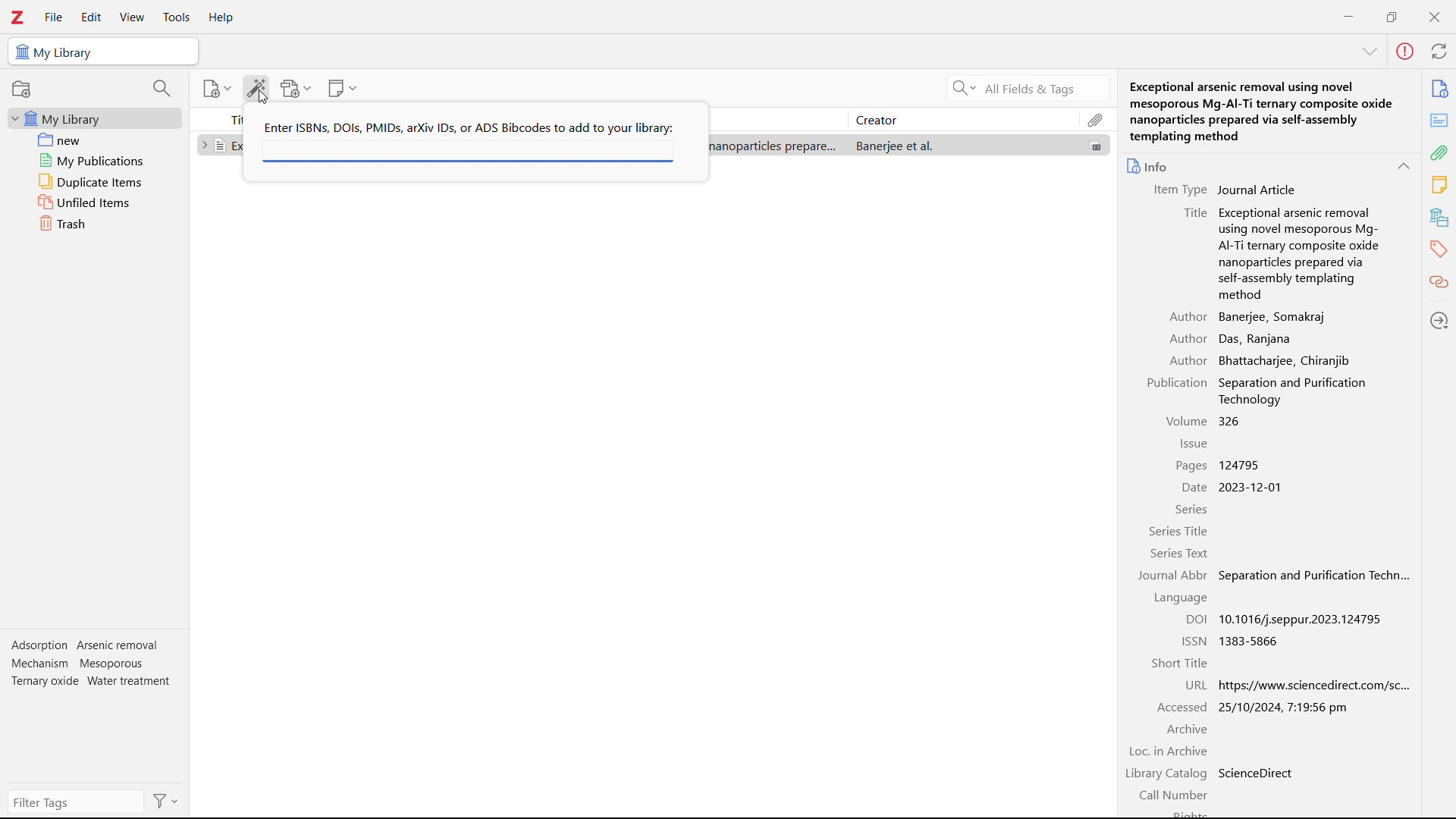 The image size is (1456, 819). What do you see at coordinates (296, 88) in the screenshot?
I see `add attachments` at bounding box center [296, 88].